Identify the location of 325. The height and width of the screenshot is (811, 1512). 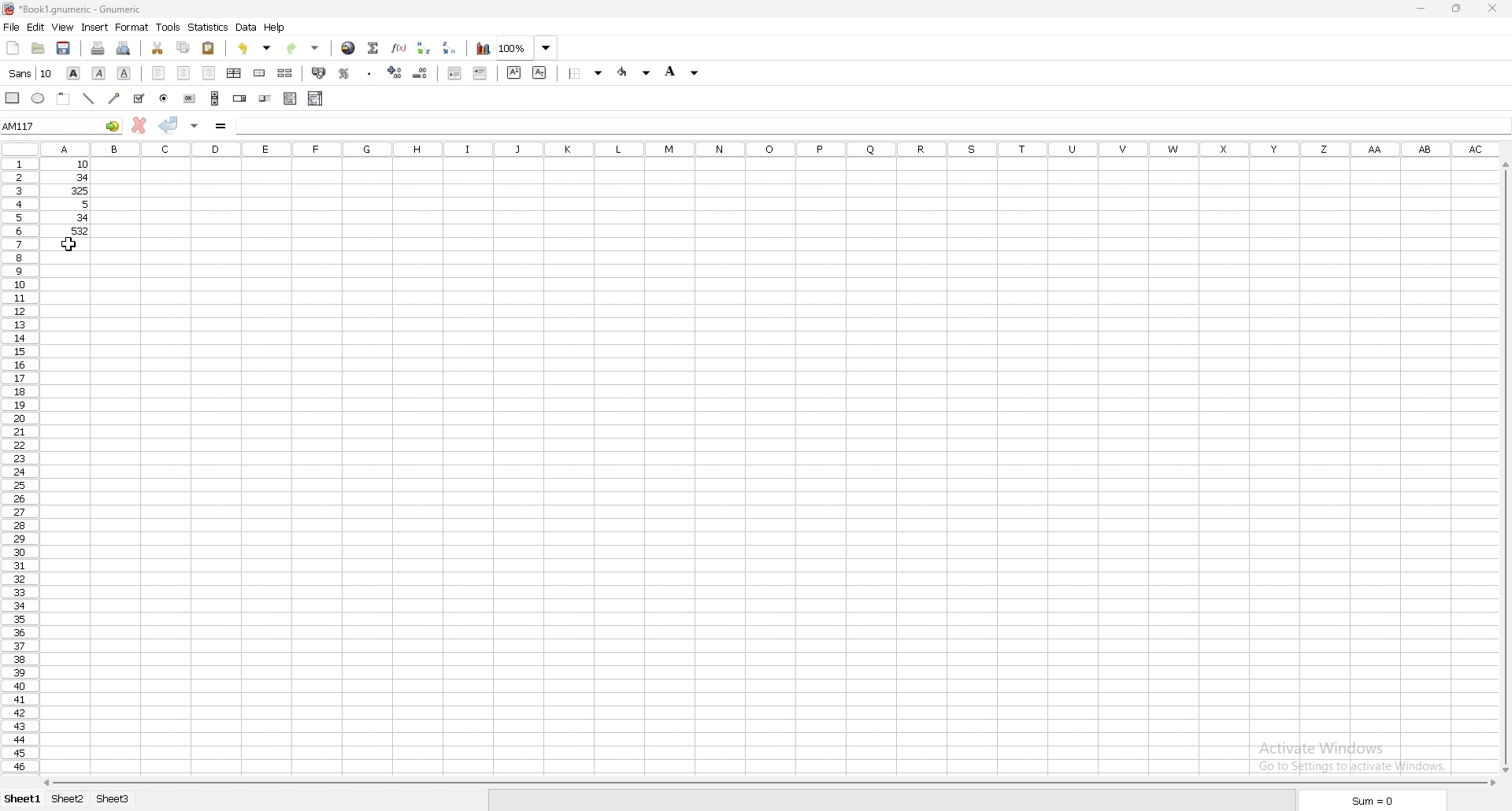
(72, 190).